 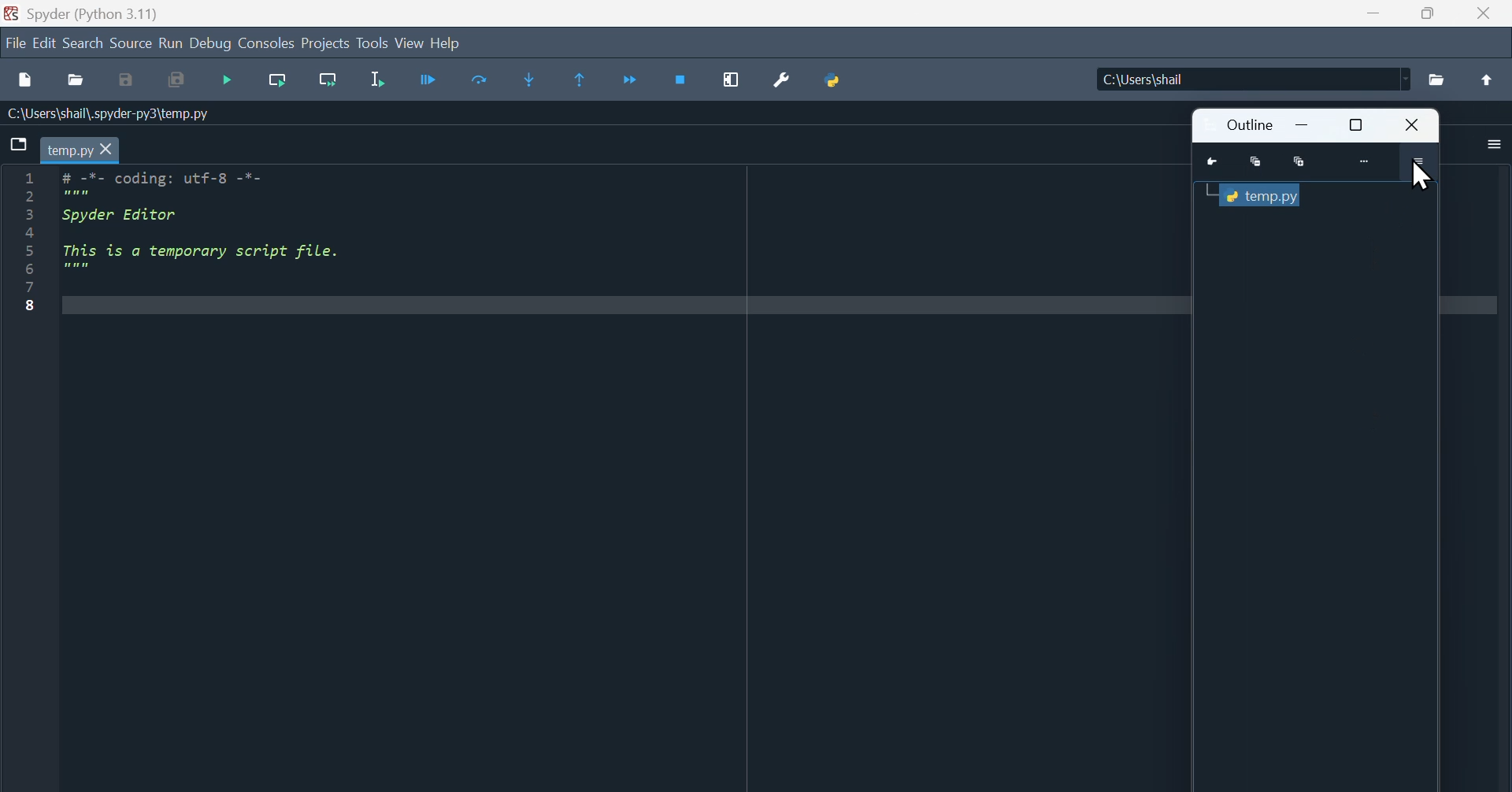 I want to click on C:\Users\shail\.spyder-py3\temp.py, so click(x=129, y=113).